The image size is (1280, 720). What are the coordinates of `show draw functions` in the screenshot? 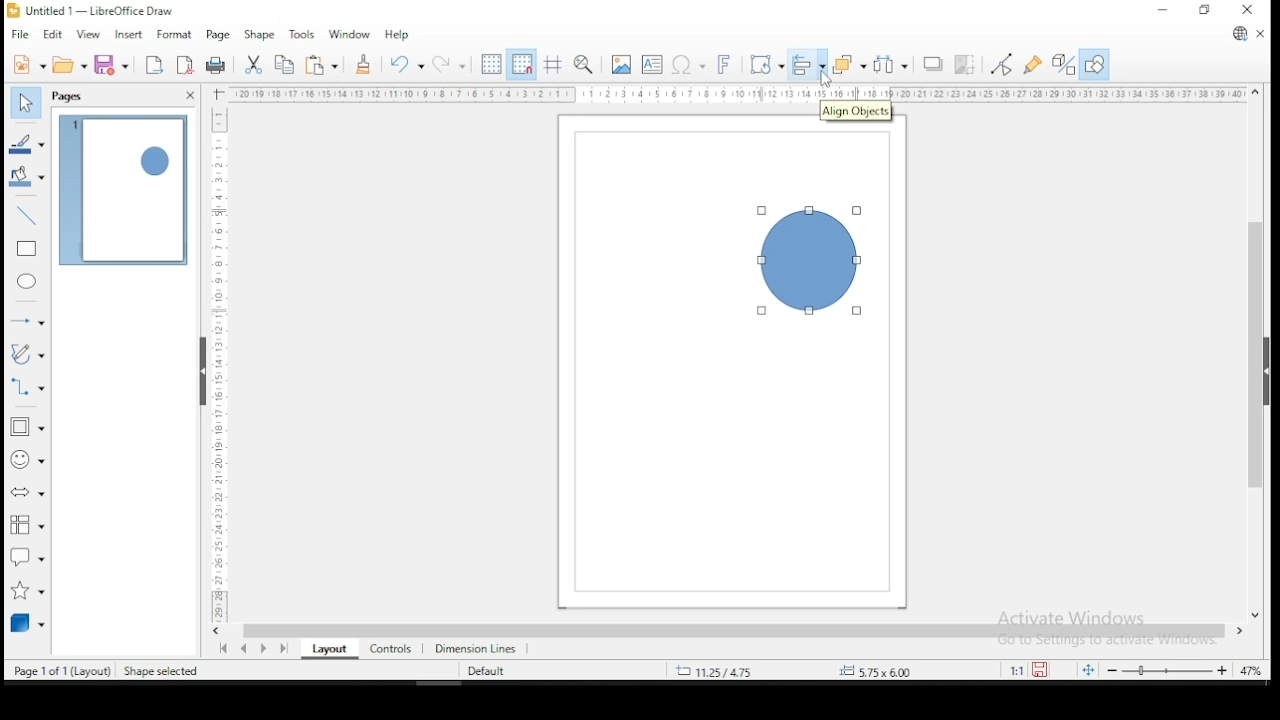 It's located at (1095, 65).